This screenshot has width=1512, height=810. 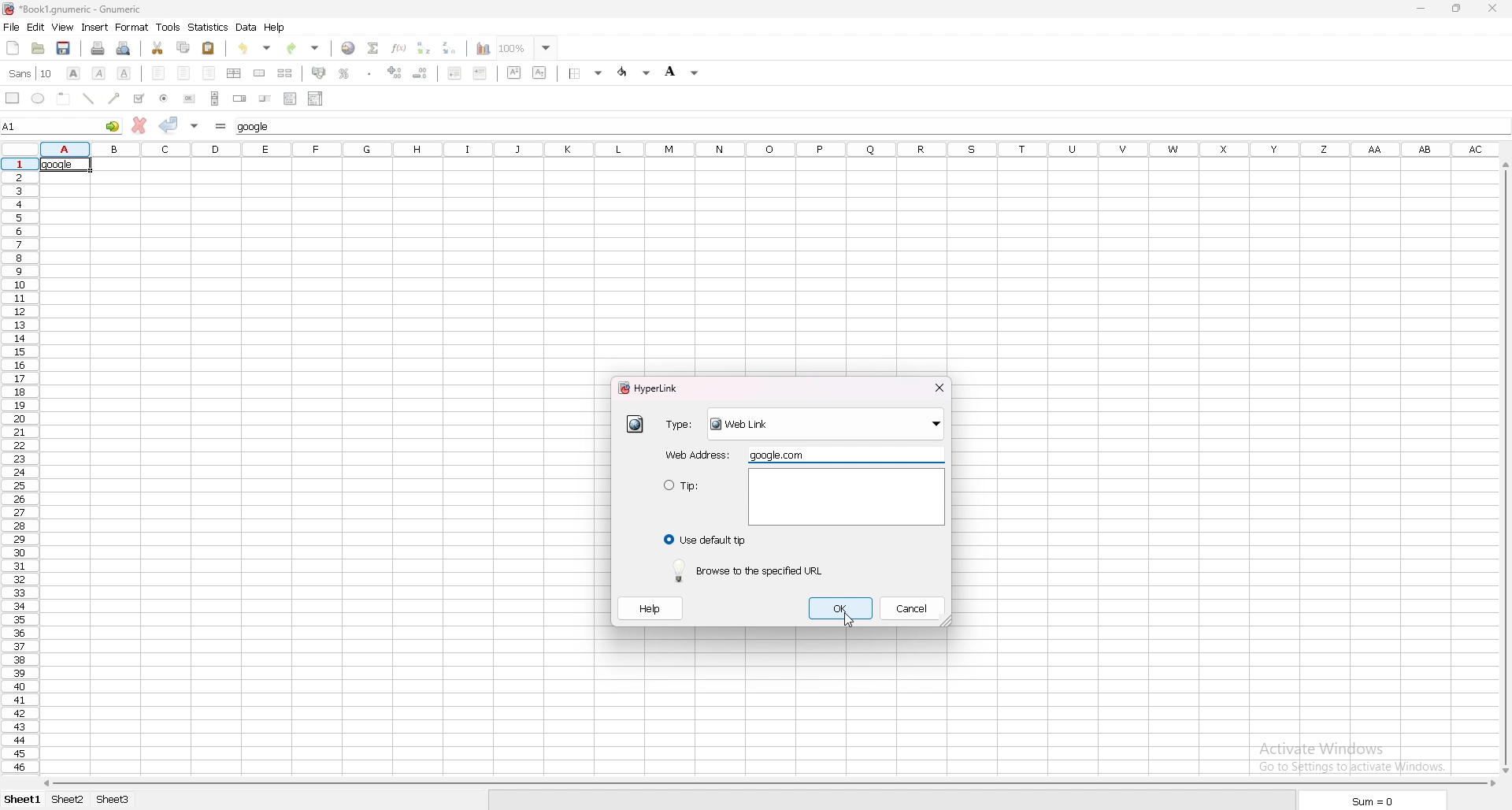 What do you see at coordinates (826, 426) in the screenshot?
I see `Web Link` at bounding box center [826, 426].